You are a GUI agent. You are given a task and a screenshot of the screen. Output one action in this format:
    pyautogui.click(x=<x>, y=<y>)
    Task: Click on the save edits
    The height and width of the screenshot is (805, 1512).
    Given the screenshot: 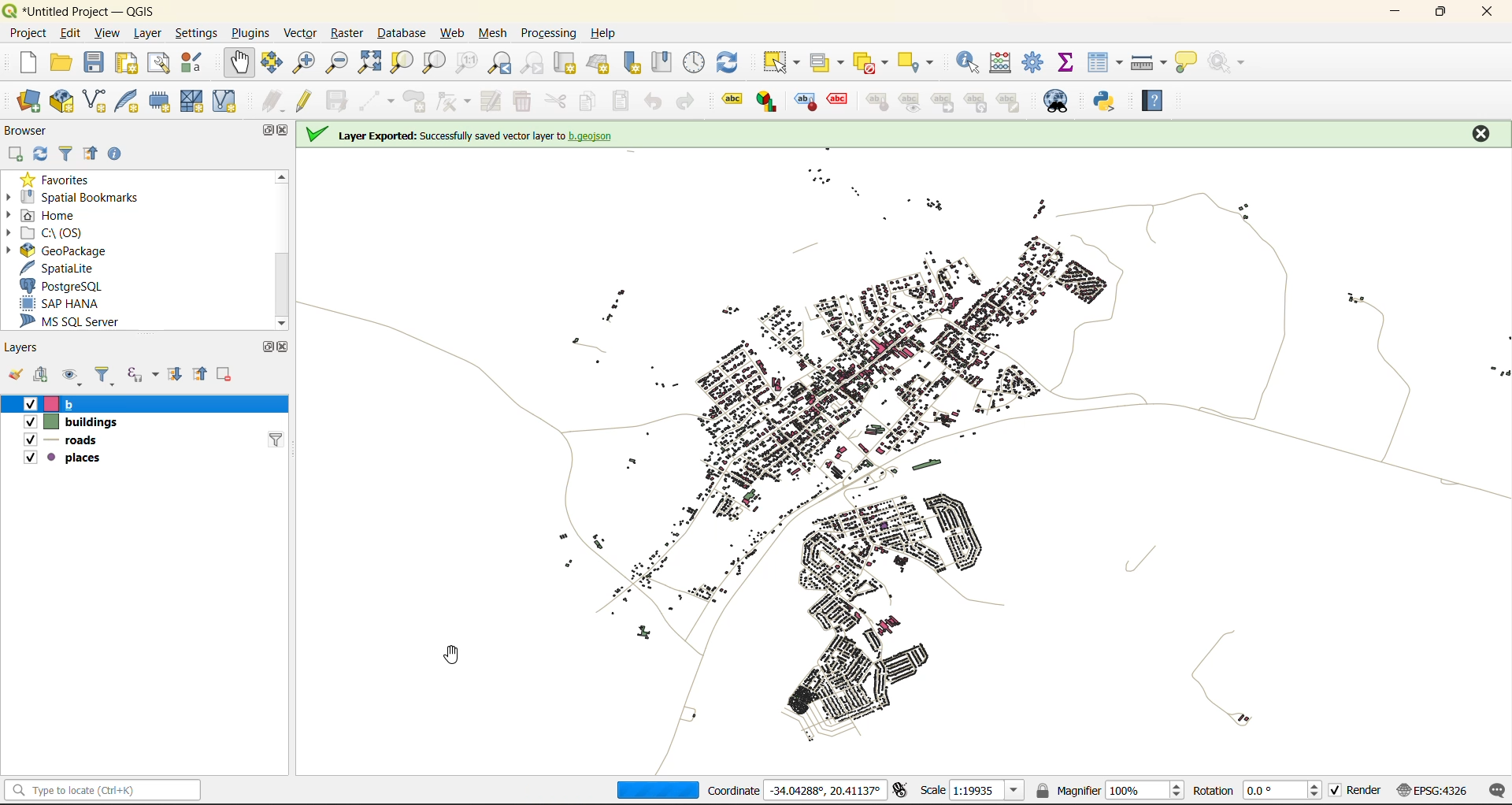 What is the action you would take?
    pyautogui.click(x=336, y=99)
    